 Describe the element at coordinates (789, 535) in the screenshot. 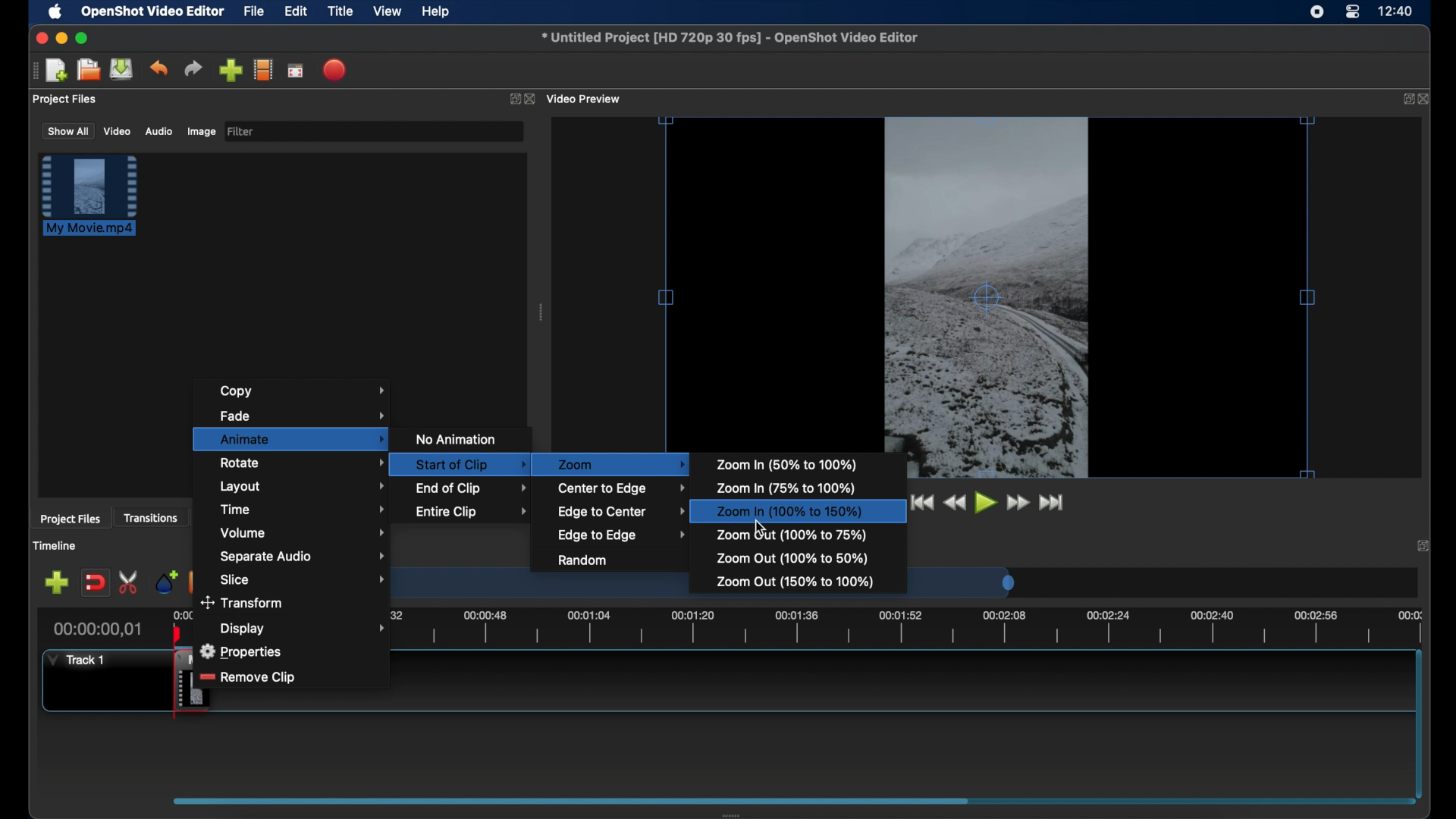

I see `zoom out` at that location.